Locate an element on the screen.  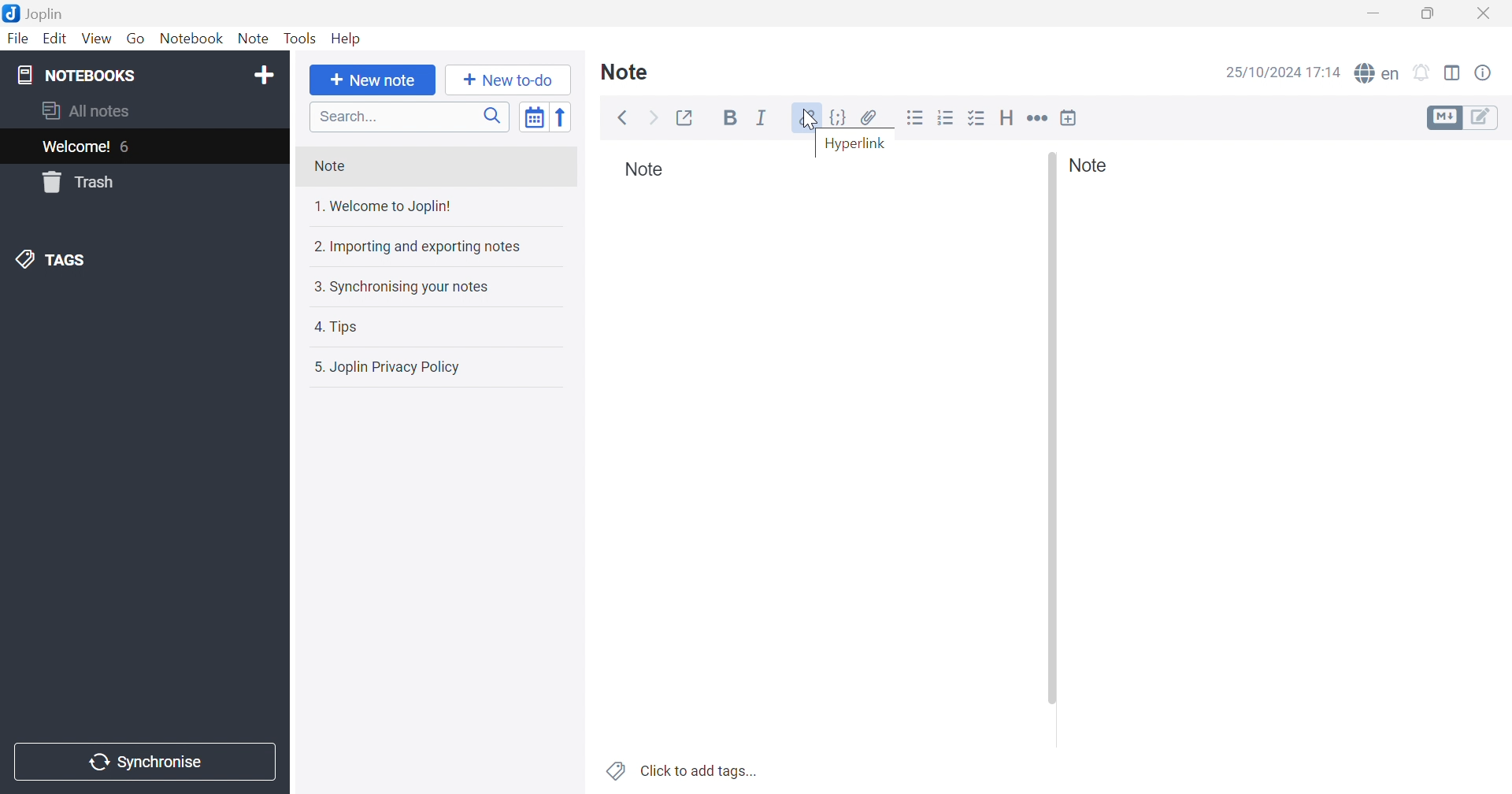
Welcome! 6 is located at coordinates (143, 147).